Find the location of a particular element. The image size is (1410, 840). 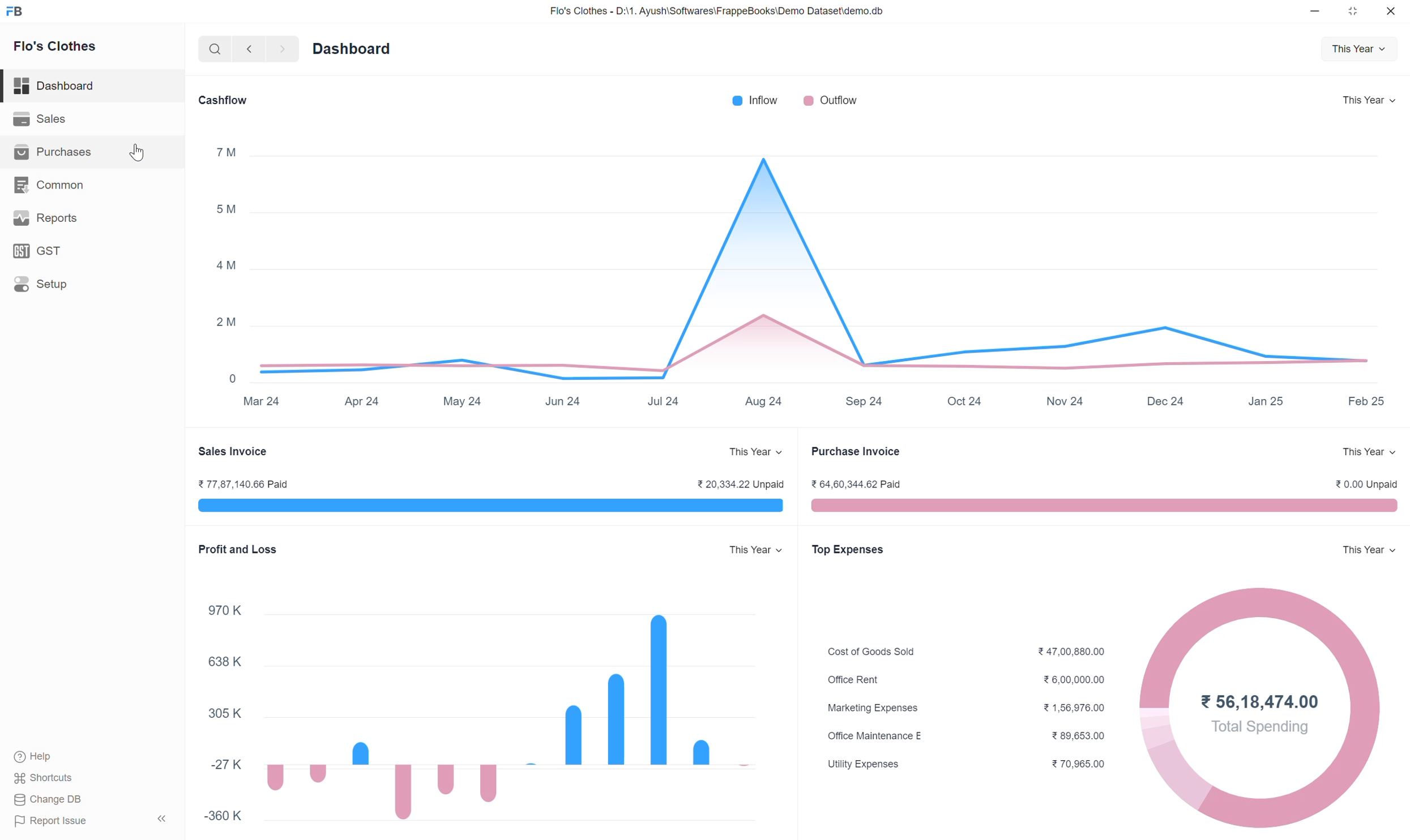

7 M is located at coordinates (225, 152).